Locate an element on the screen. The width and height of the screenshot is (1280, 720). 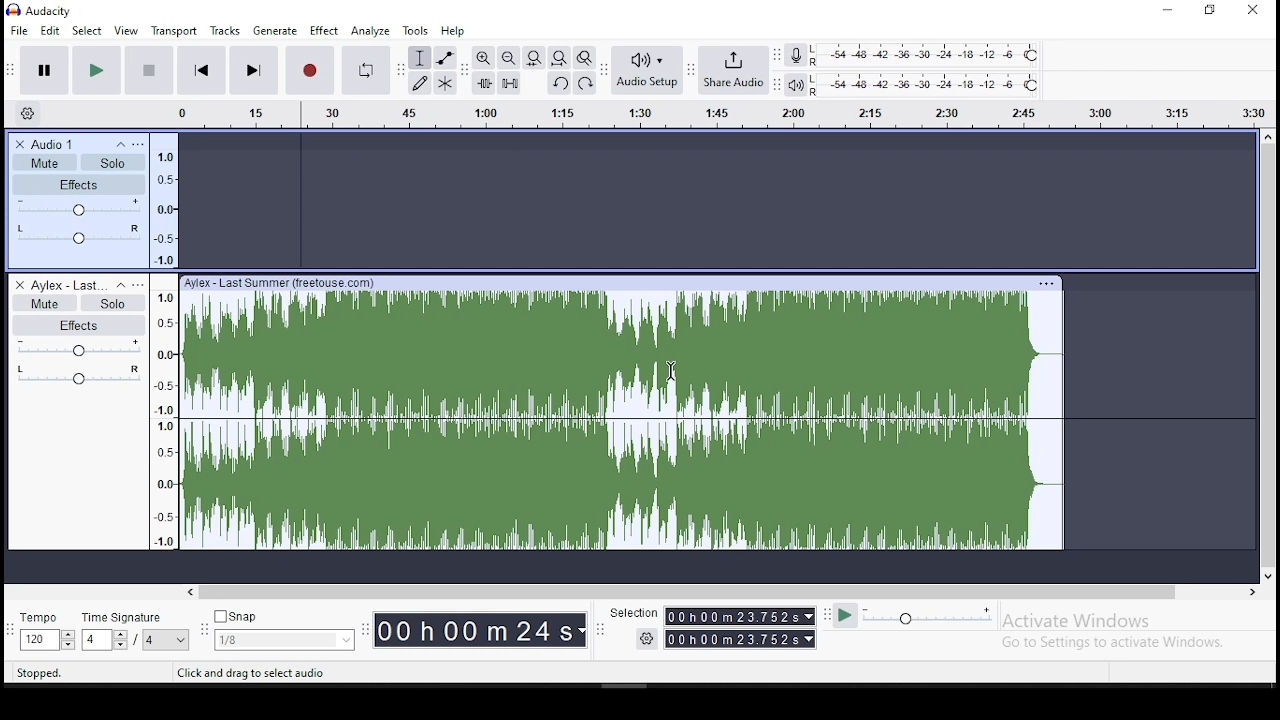
selection is located at coordinates (713, 627).